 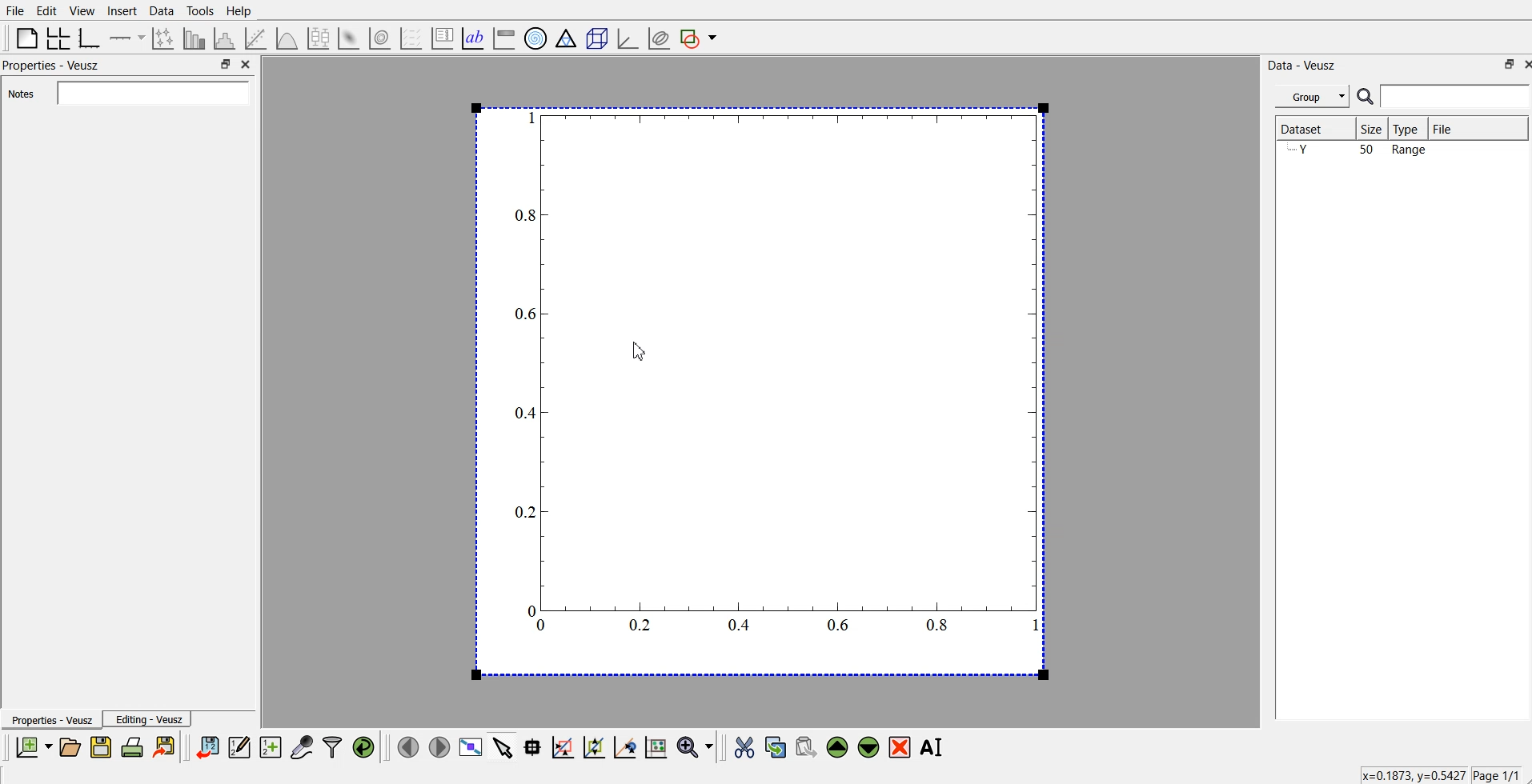 I want to click on Add an axis, so click(x=128, y=37).